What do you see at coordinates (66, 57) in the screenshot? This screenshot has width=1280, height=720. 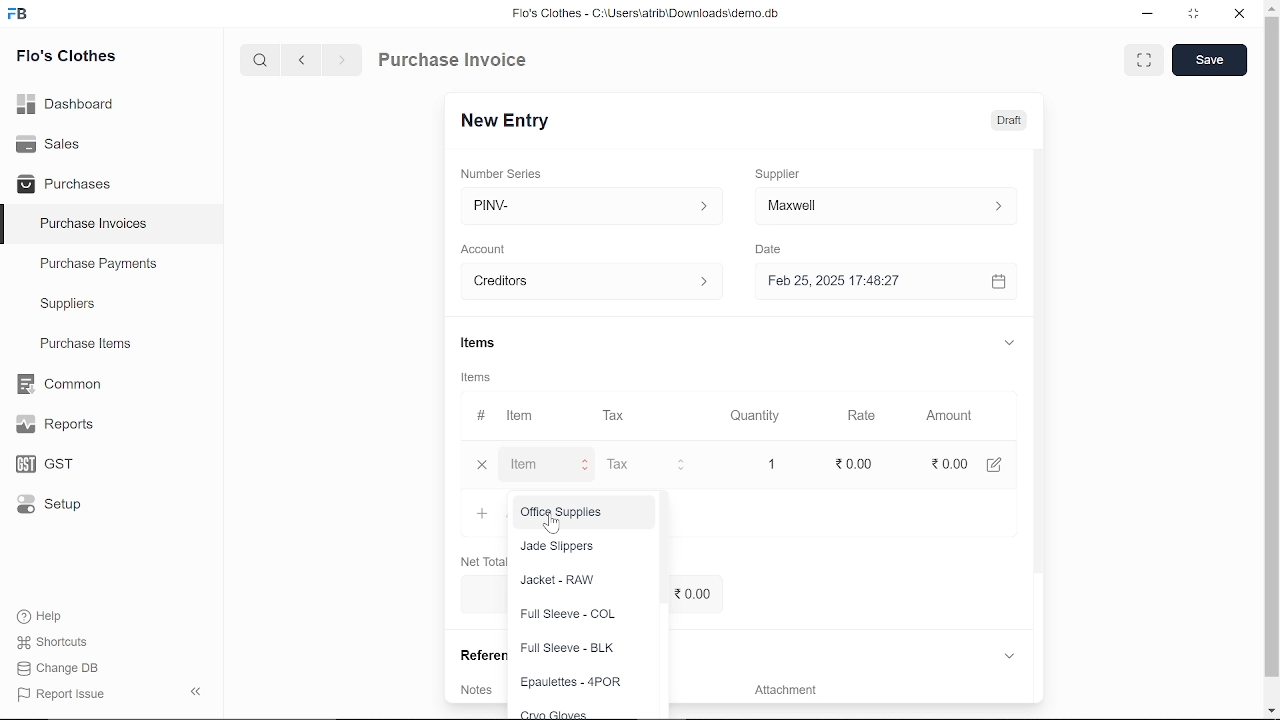 I see `Flo's Clothes` at bounding box center [66, 57].